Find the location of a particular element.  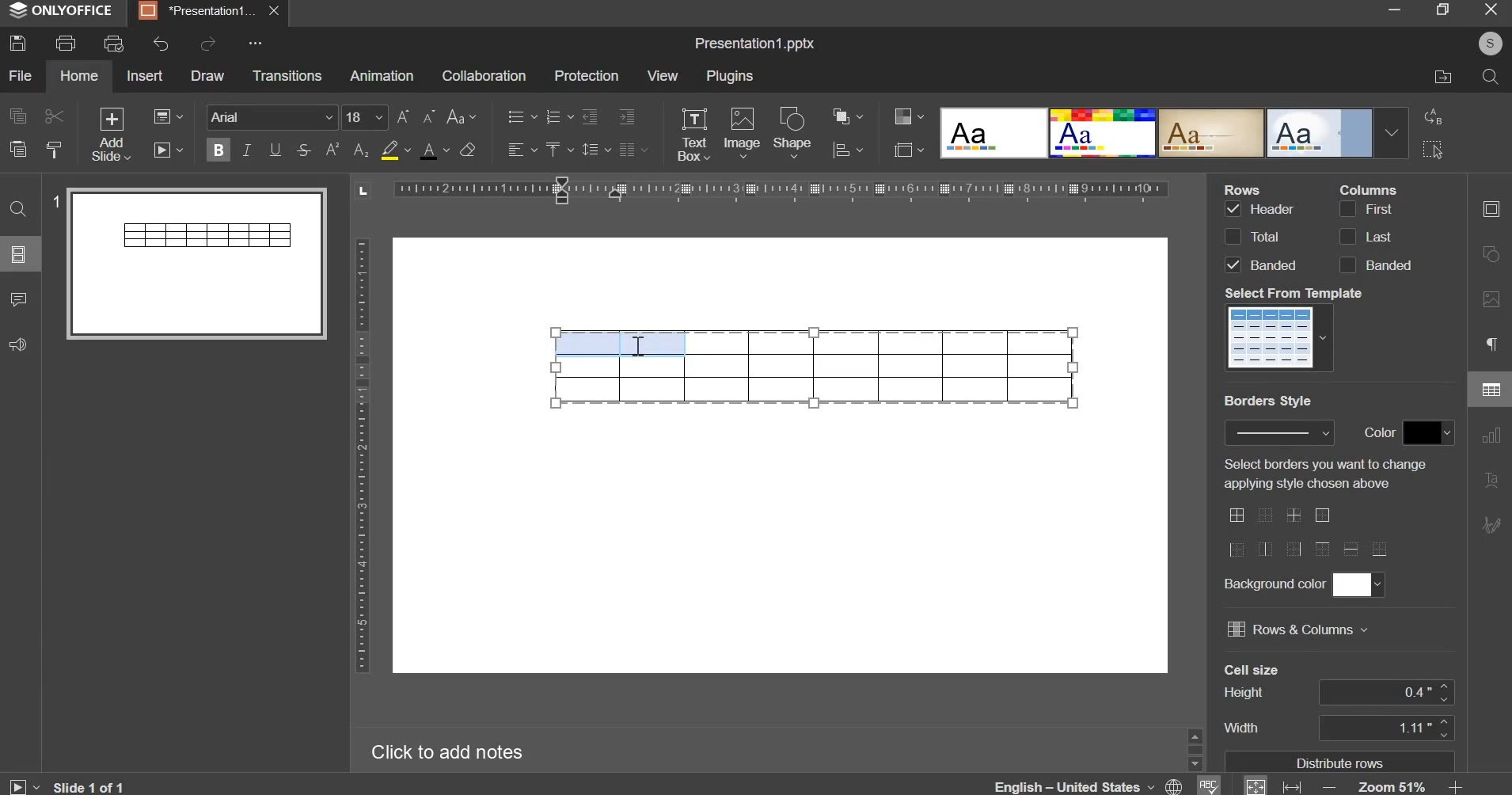

search is located at coordinates (1489, 77).